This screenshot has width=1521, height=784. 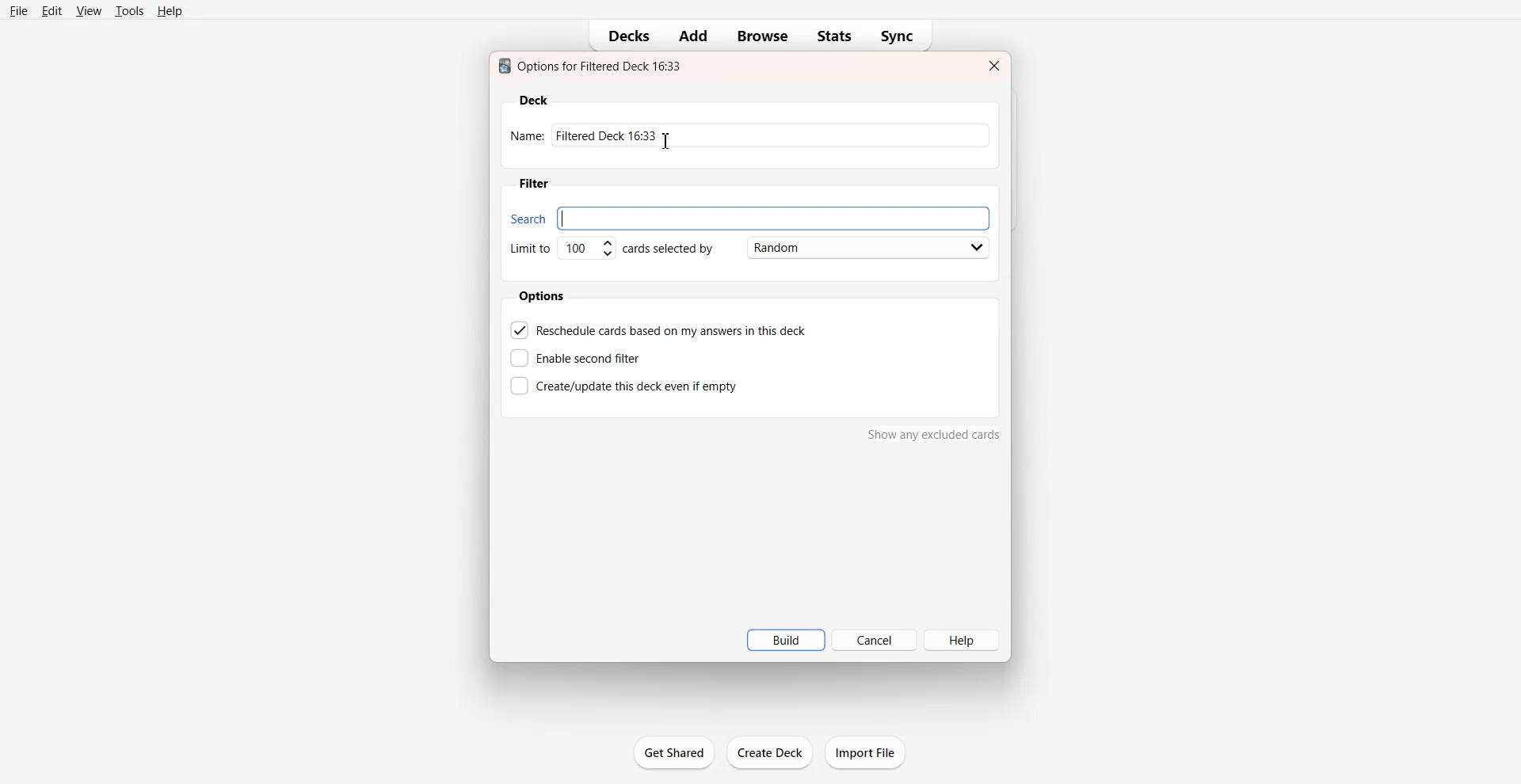 I want to click on File, so click(x=19, y=10).